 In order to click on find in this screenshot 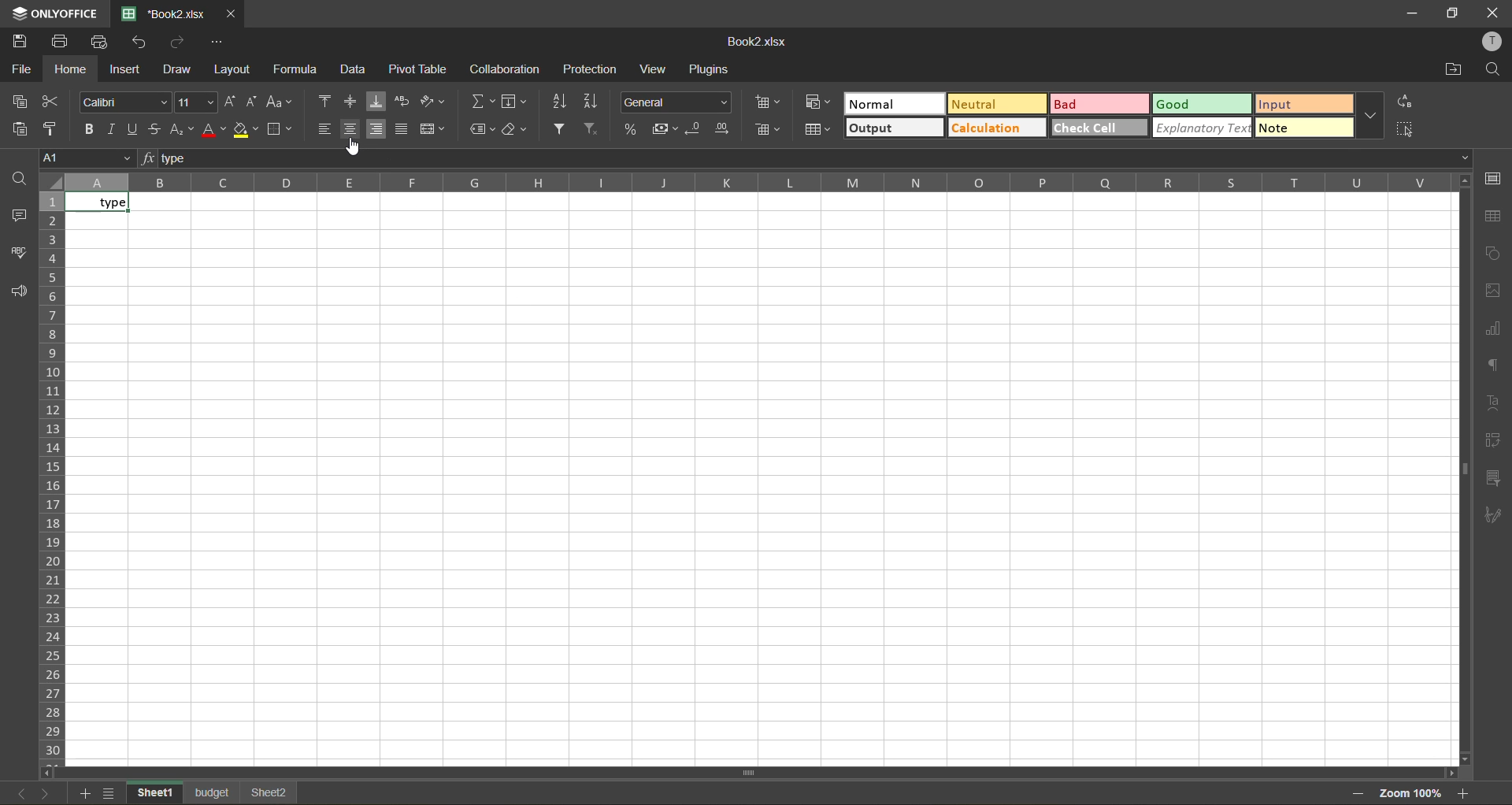, I will do `click(1494, 73)`.